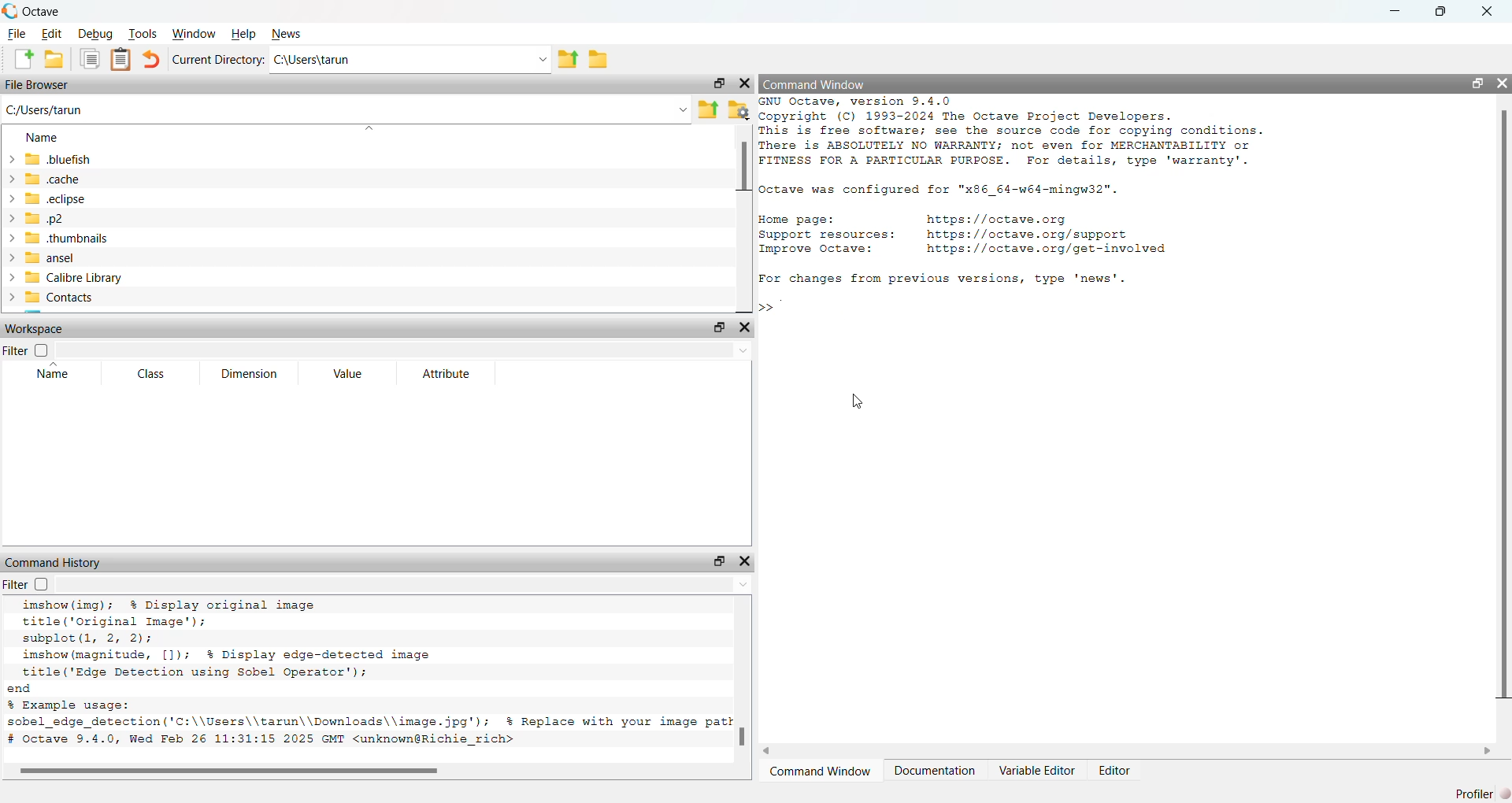 This screenshot has width=1512, height=803. Describe the element at coordinates (369, 772) in the screenshot. I see `horizontal scroll bar` at that location.